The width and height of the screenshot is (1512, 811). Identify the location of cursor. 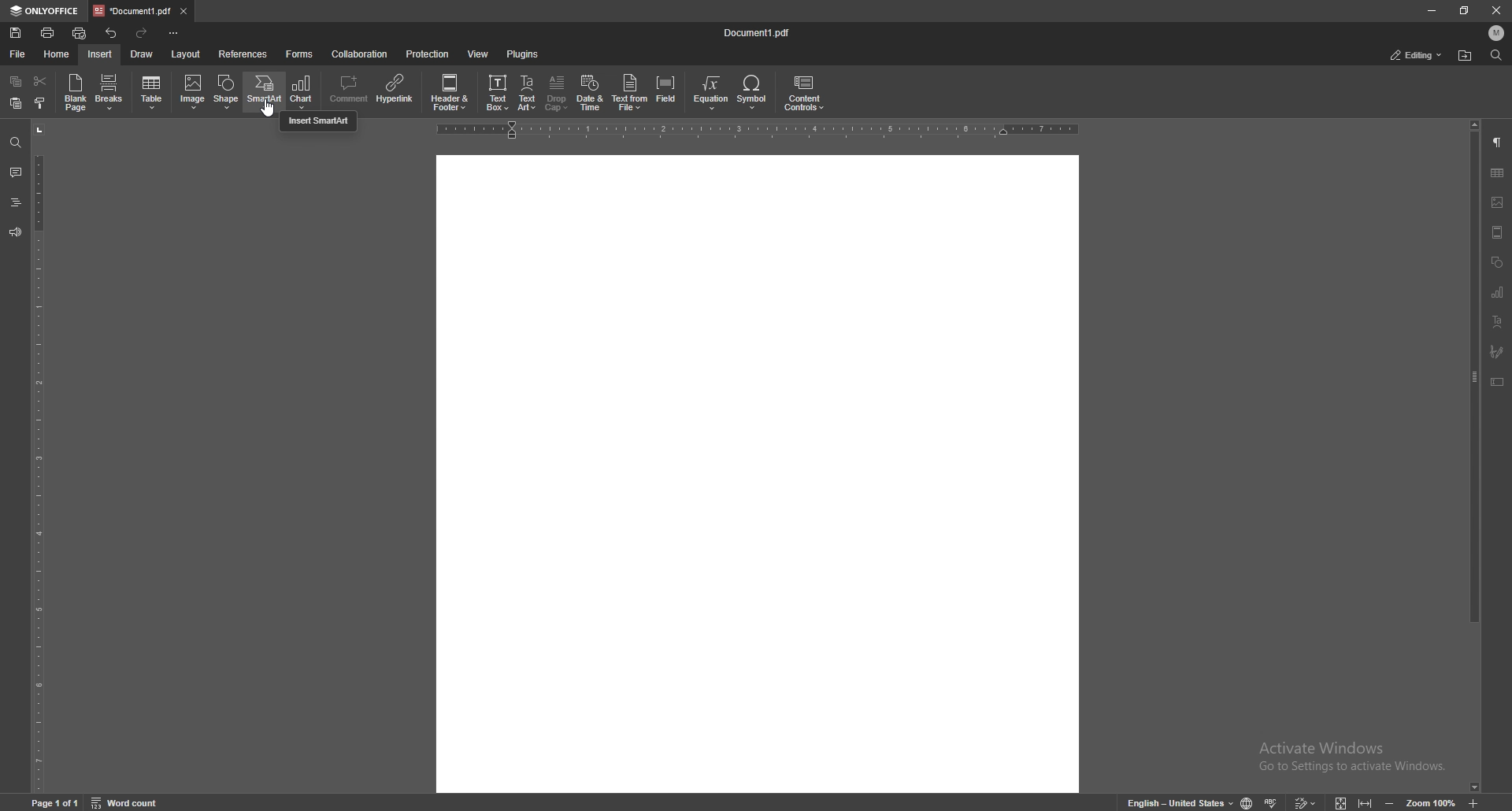
(265, 106).